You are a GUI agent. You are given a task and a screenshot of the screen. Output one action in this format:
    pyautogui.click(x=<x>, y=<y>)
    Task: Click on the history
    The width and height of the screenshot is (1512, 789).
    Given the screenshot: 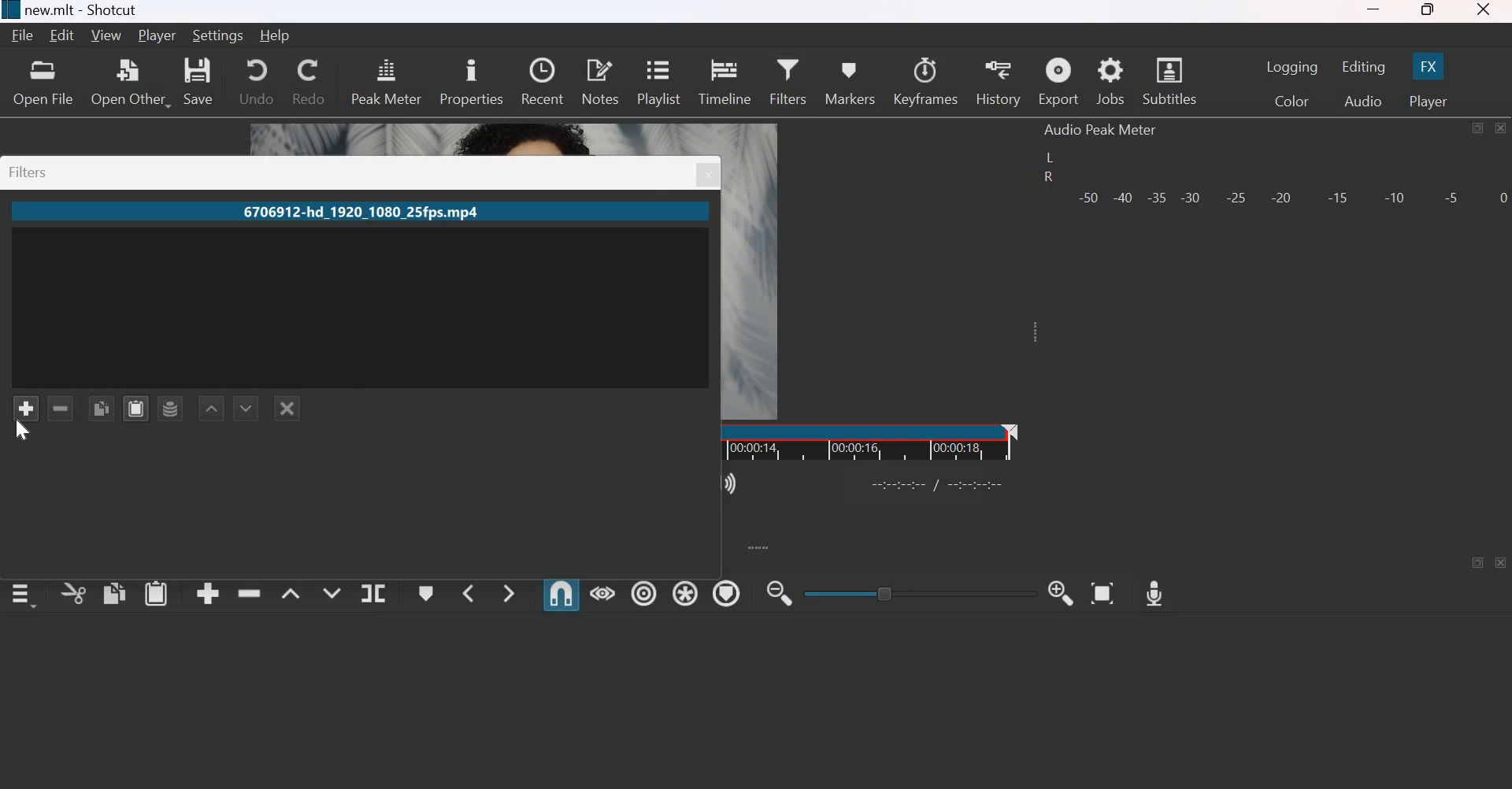 What is the action you would take?
    pyautogui.click(x=997, y=82)
    